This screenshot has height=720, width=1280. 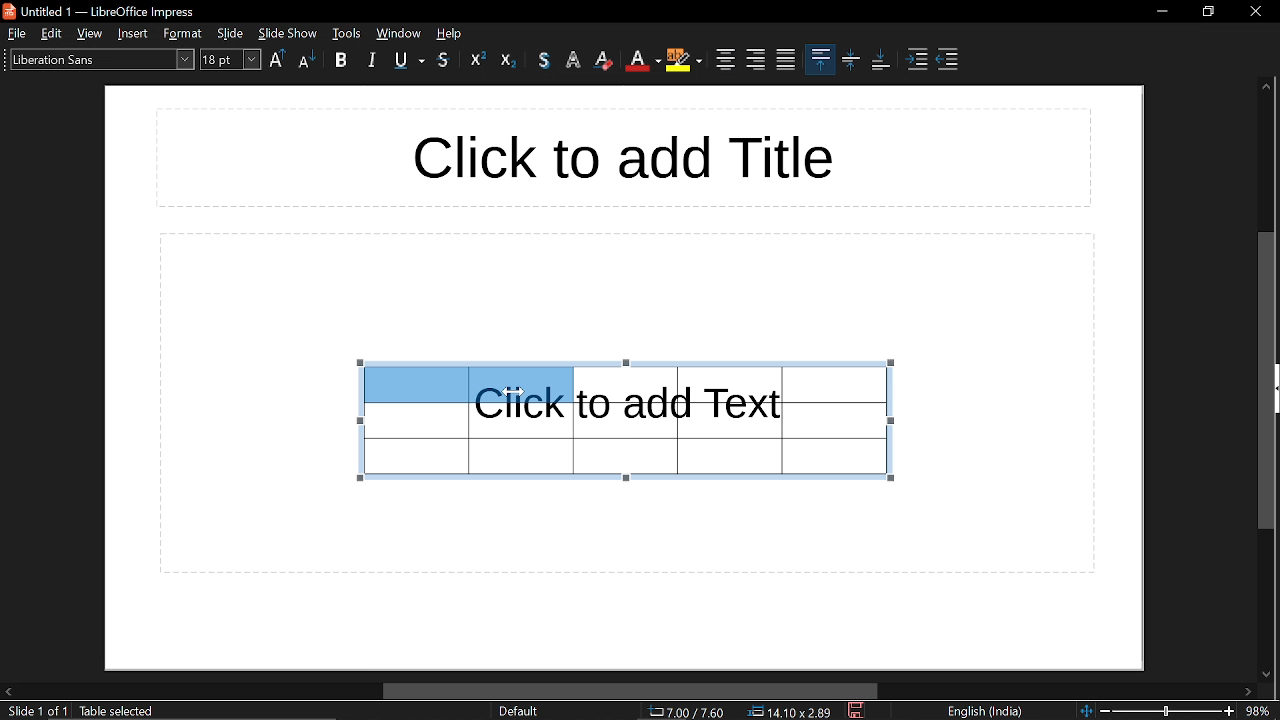 I want to click on dimension, so click(x=790, y=712).